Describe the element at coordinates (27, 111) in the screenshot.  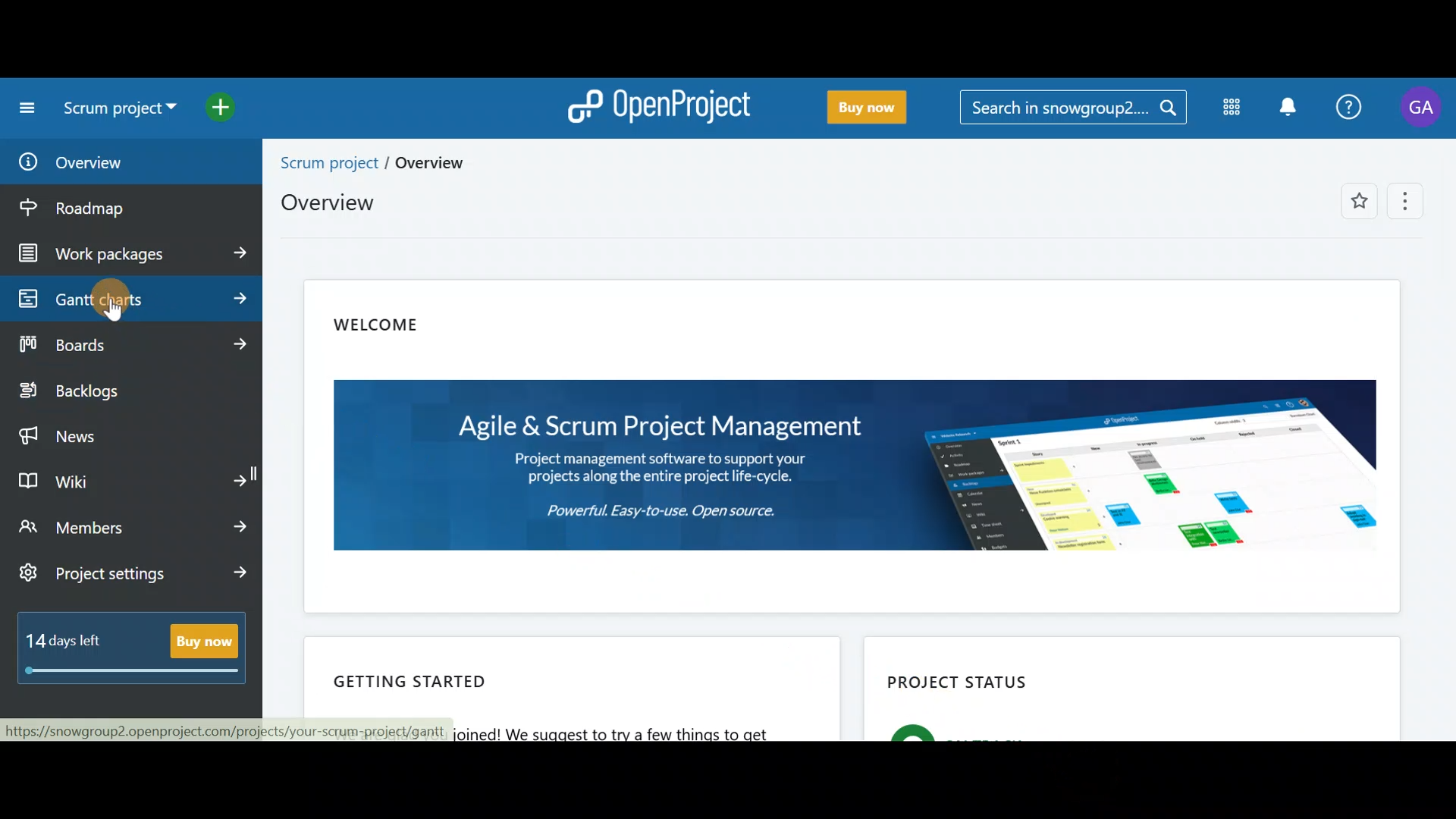
I see `Collapse project menu` at that location.